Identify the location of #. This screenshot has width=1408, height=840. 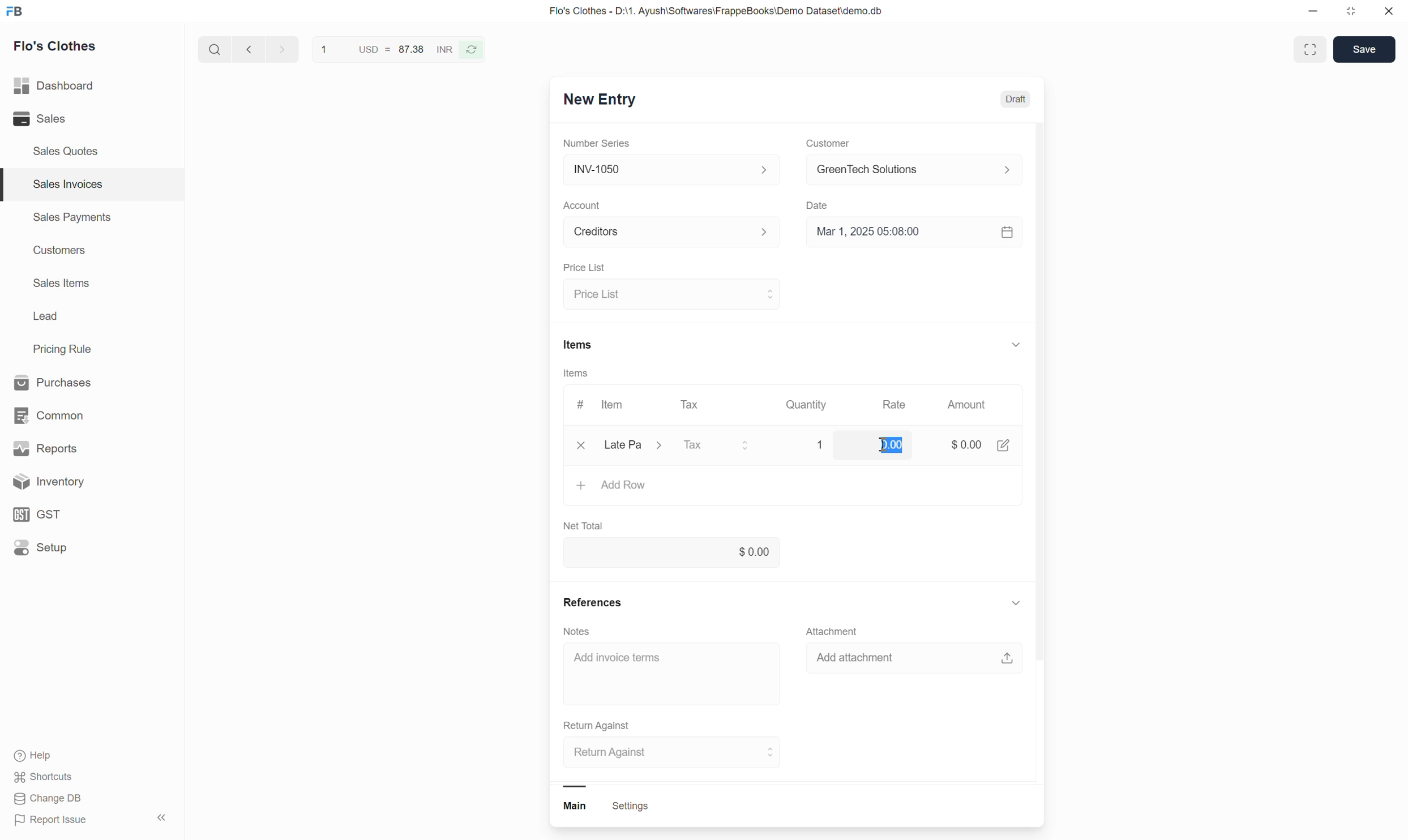
(577, 405).